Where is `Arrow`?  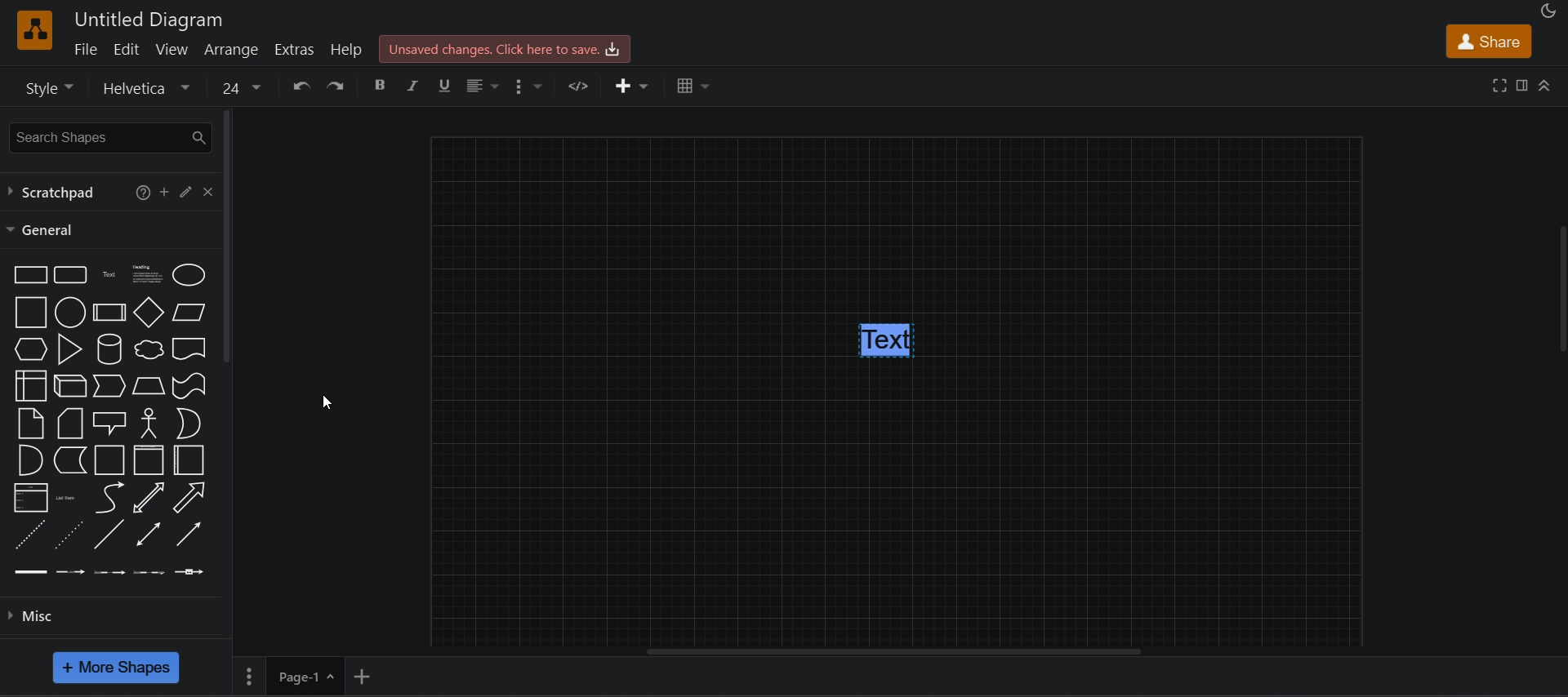
Arrow is located at coordinates (189, 498).